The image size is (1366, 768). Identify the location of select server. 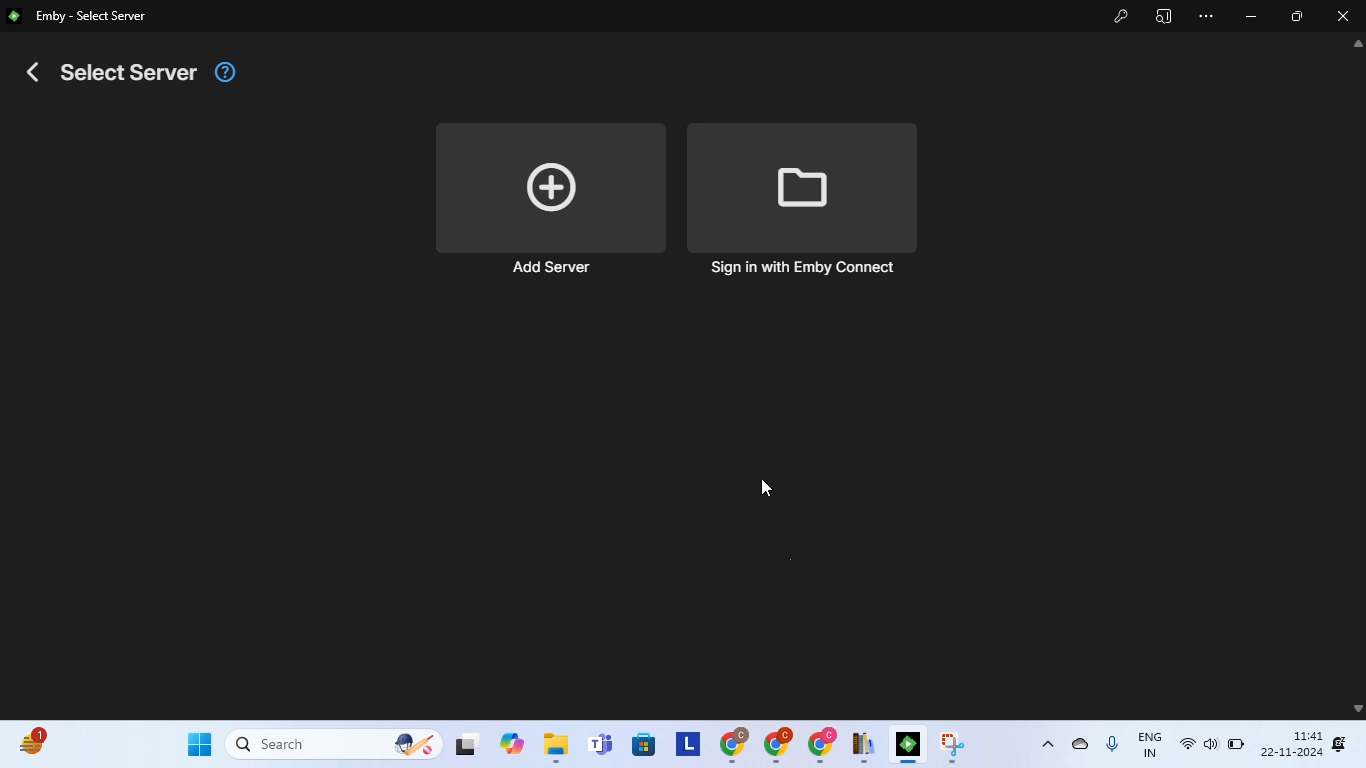
(114, 72).